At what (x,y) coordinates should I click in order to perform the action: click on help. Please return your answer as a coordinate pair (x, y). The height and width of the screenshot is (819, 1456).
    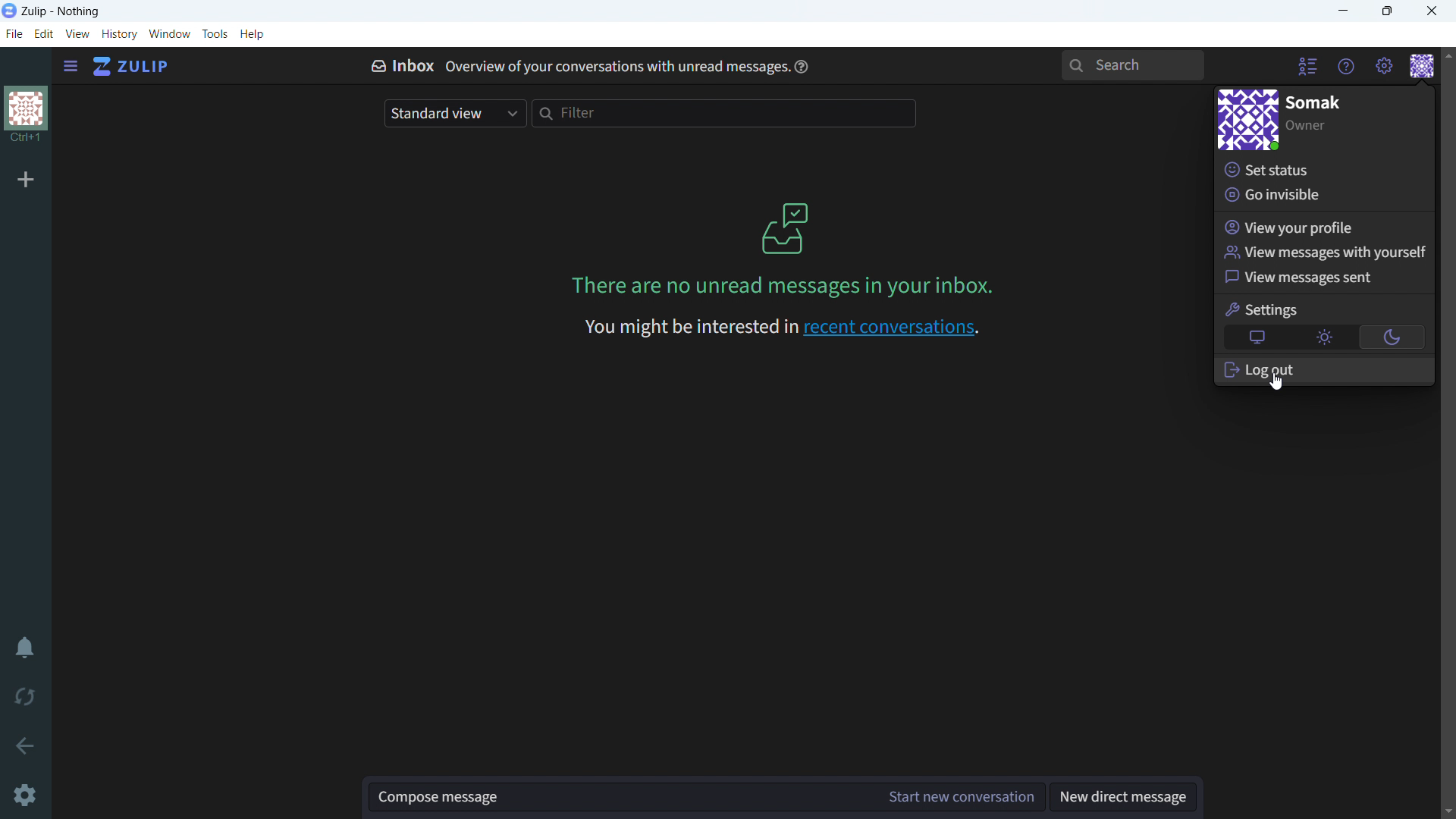
    Looking at the image, I should click on (801, 66).